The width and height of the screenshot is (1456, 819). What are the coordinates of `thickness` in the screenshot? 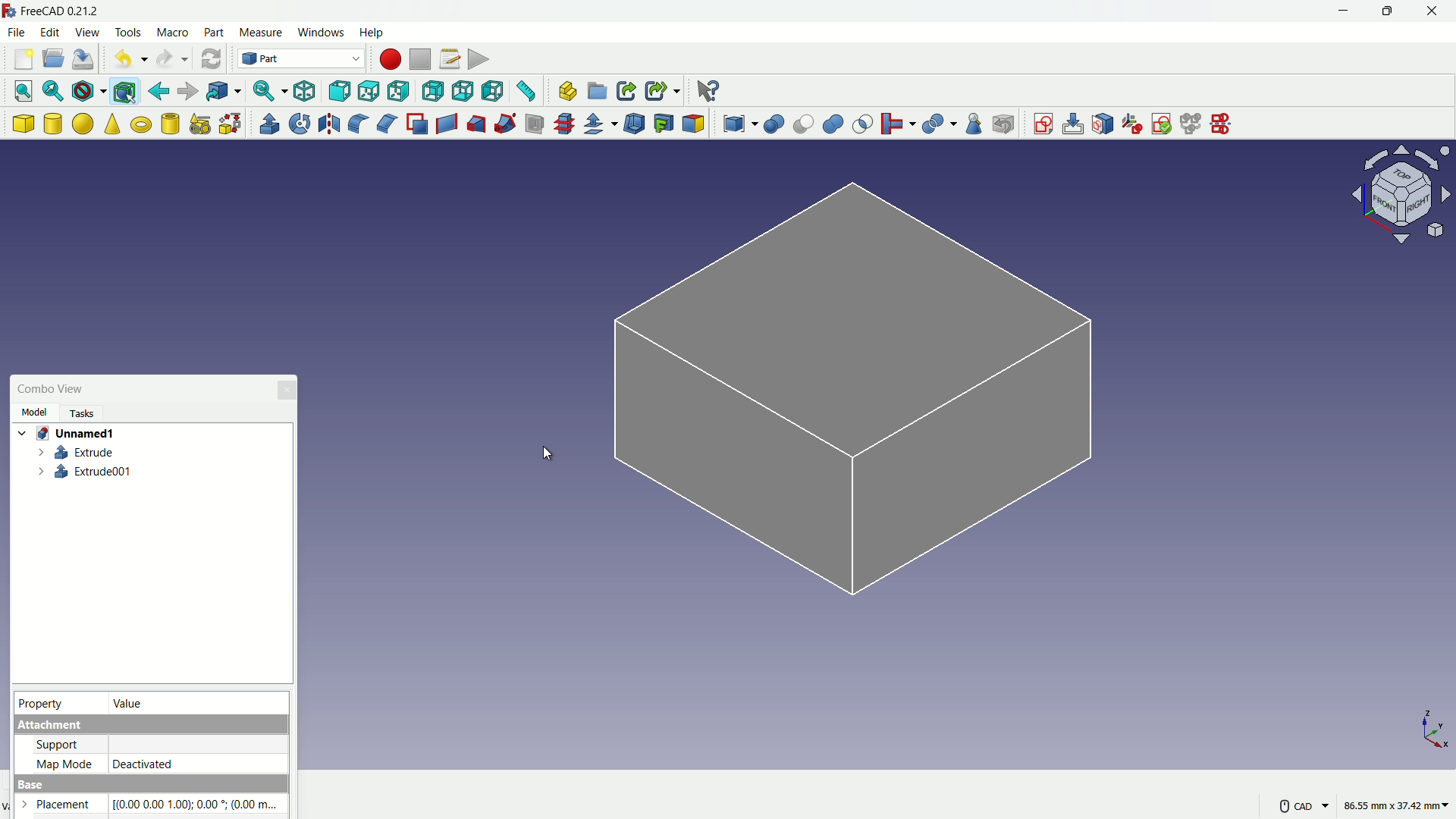 It's located at (636, 124).